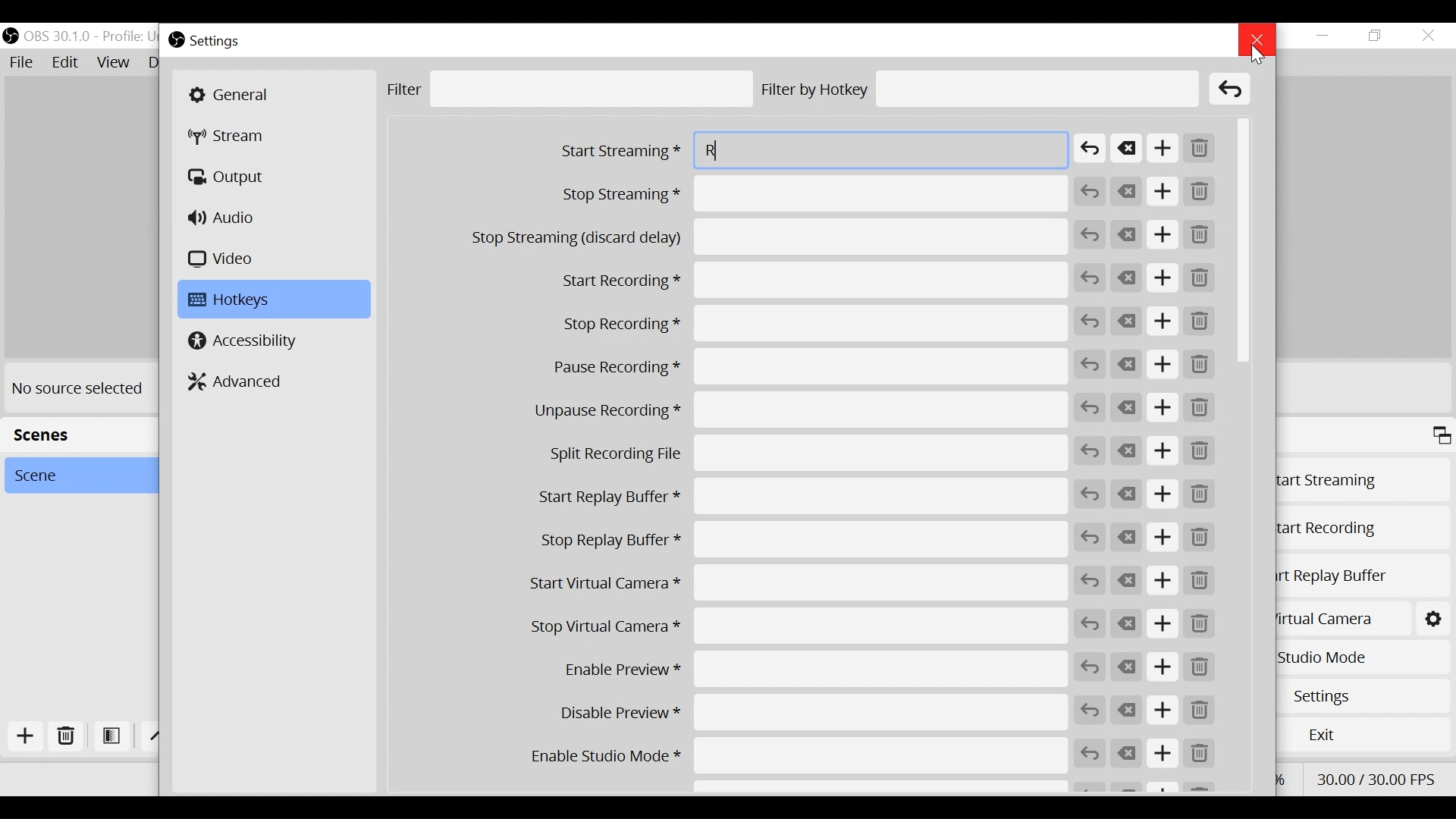 The width and height of the screenshot is (1456, 819). What do you see at coordinates (1441, 437) in the screenshot?
I see `Maximize` at bounding box center [1441, 437].